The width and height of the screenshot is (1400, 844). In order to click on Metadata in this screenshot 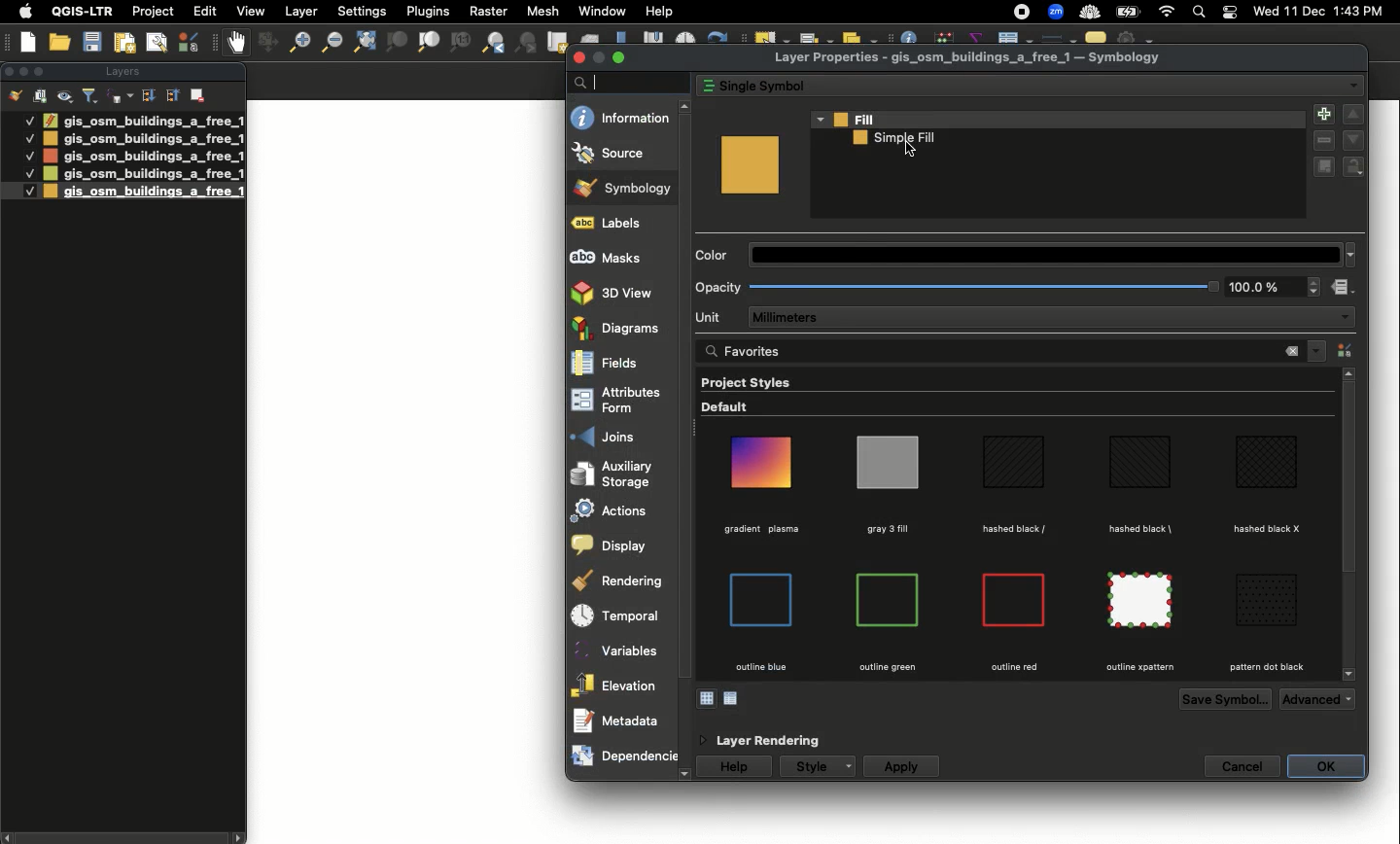, I will do `click(625, 721)`.